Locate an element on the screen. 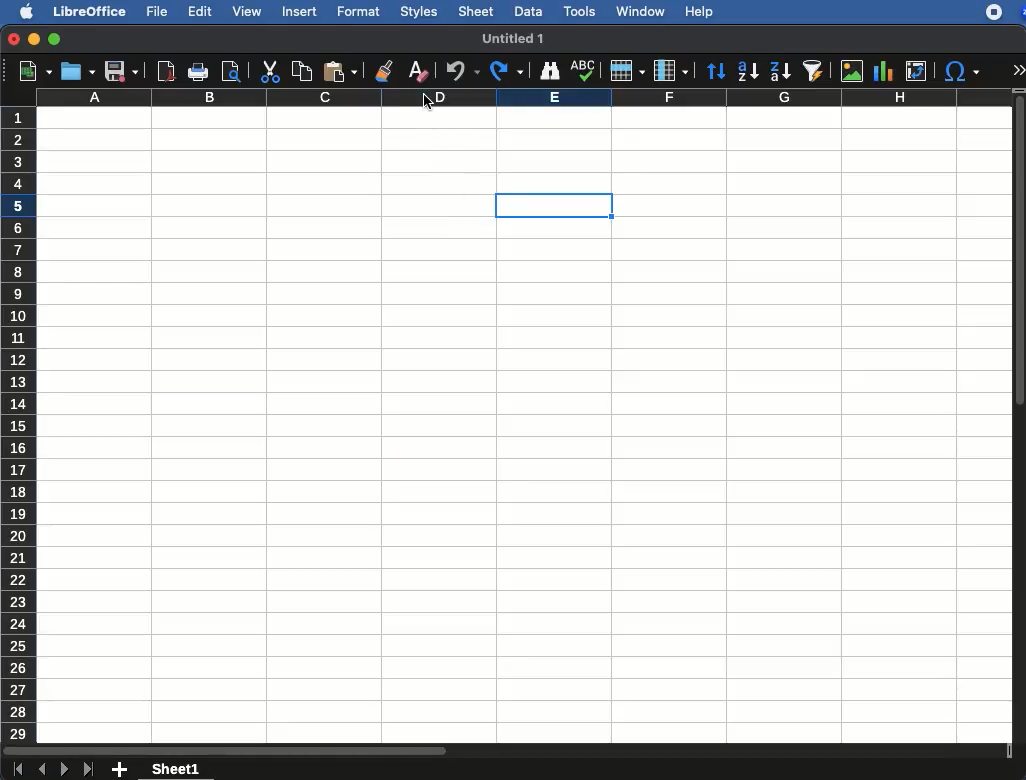  clear formatting is located at coordinates (417, 73).